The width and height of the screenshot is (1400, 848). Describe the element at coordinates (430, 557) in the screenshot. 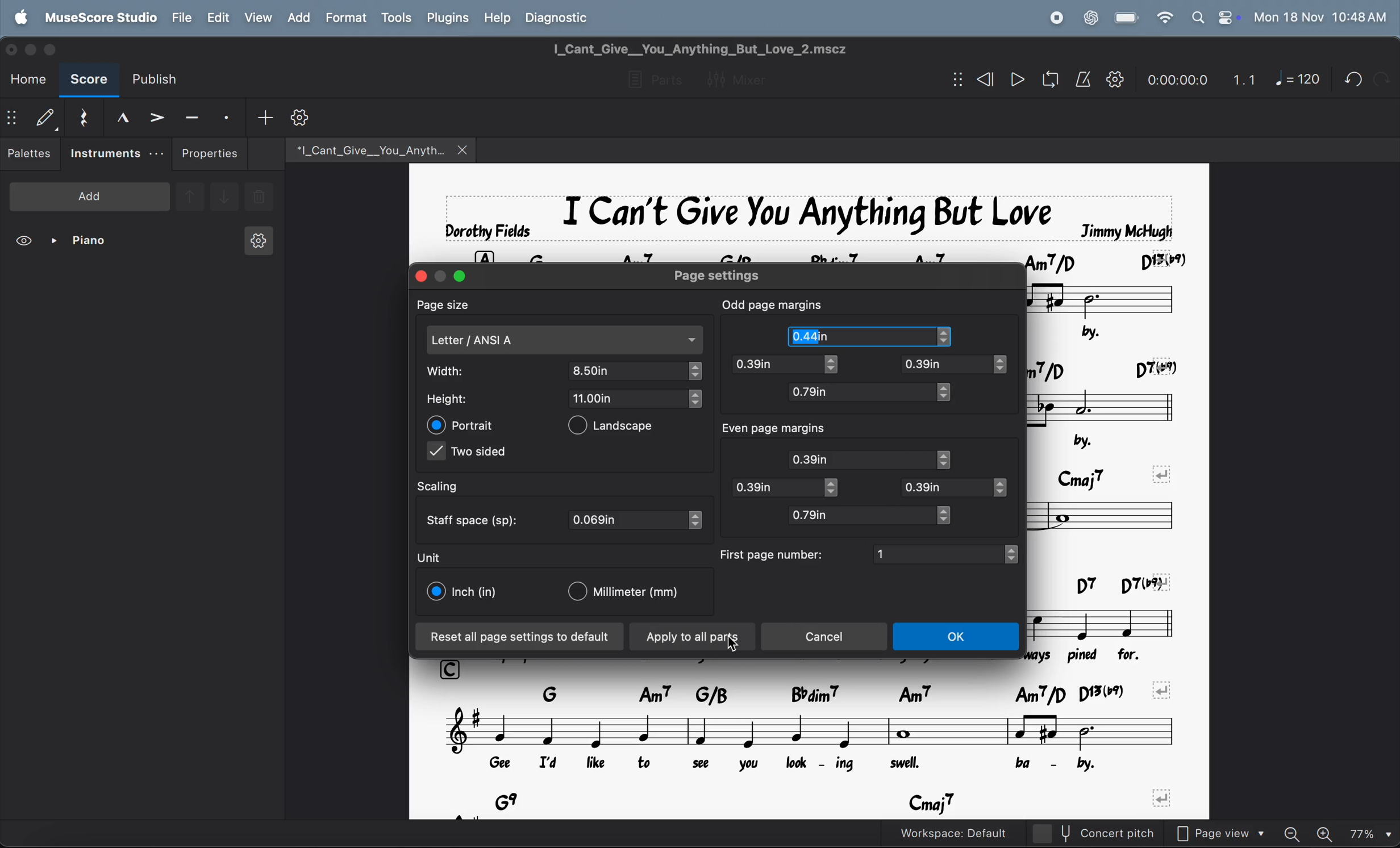

I see `unit` at that location.